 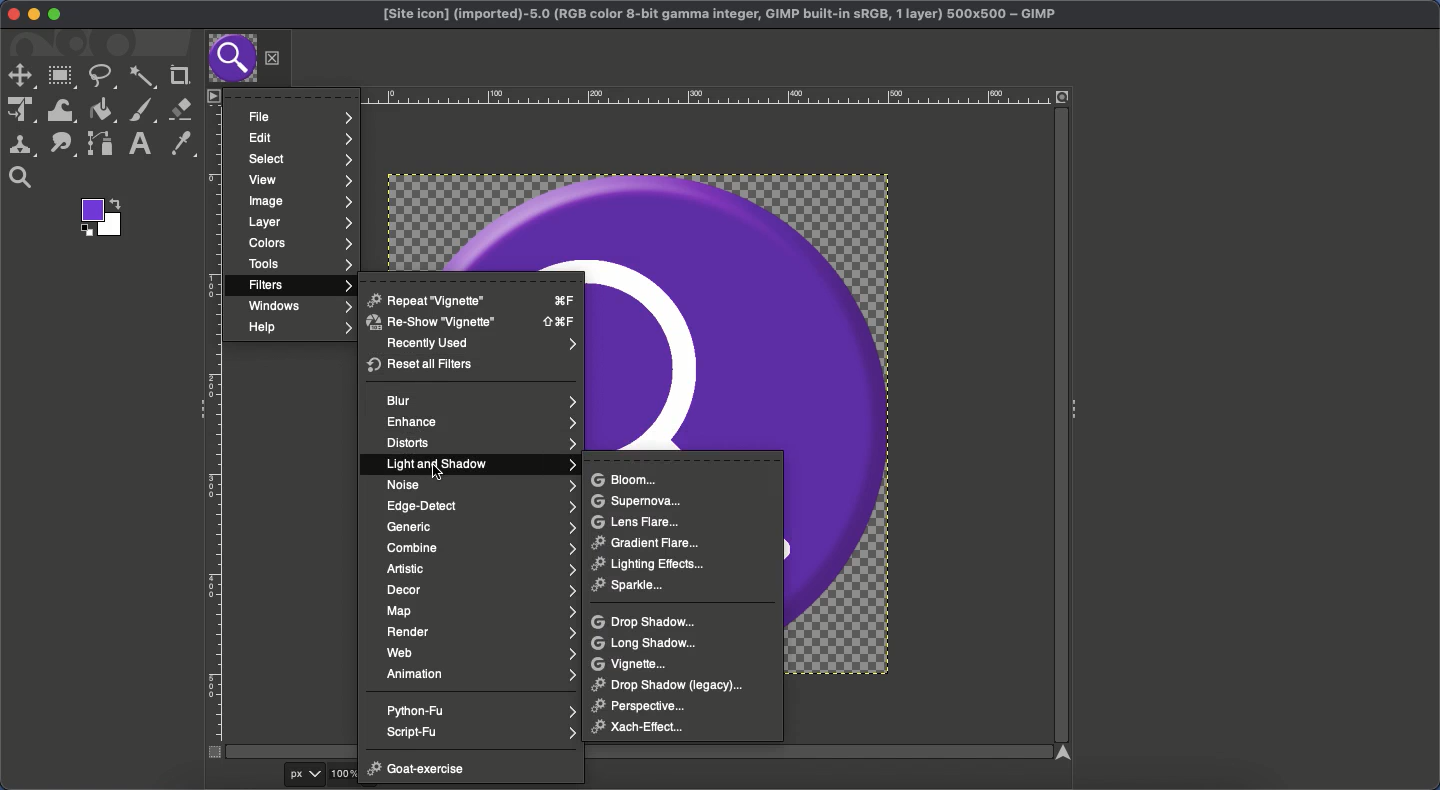 What do you see at coordinates (470, 322) in the screenshot?
I see `Reshow vignette` at bounding box center [470, 322].